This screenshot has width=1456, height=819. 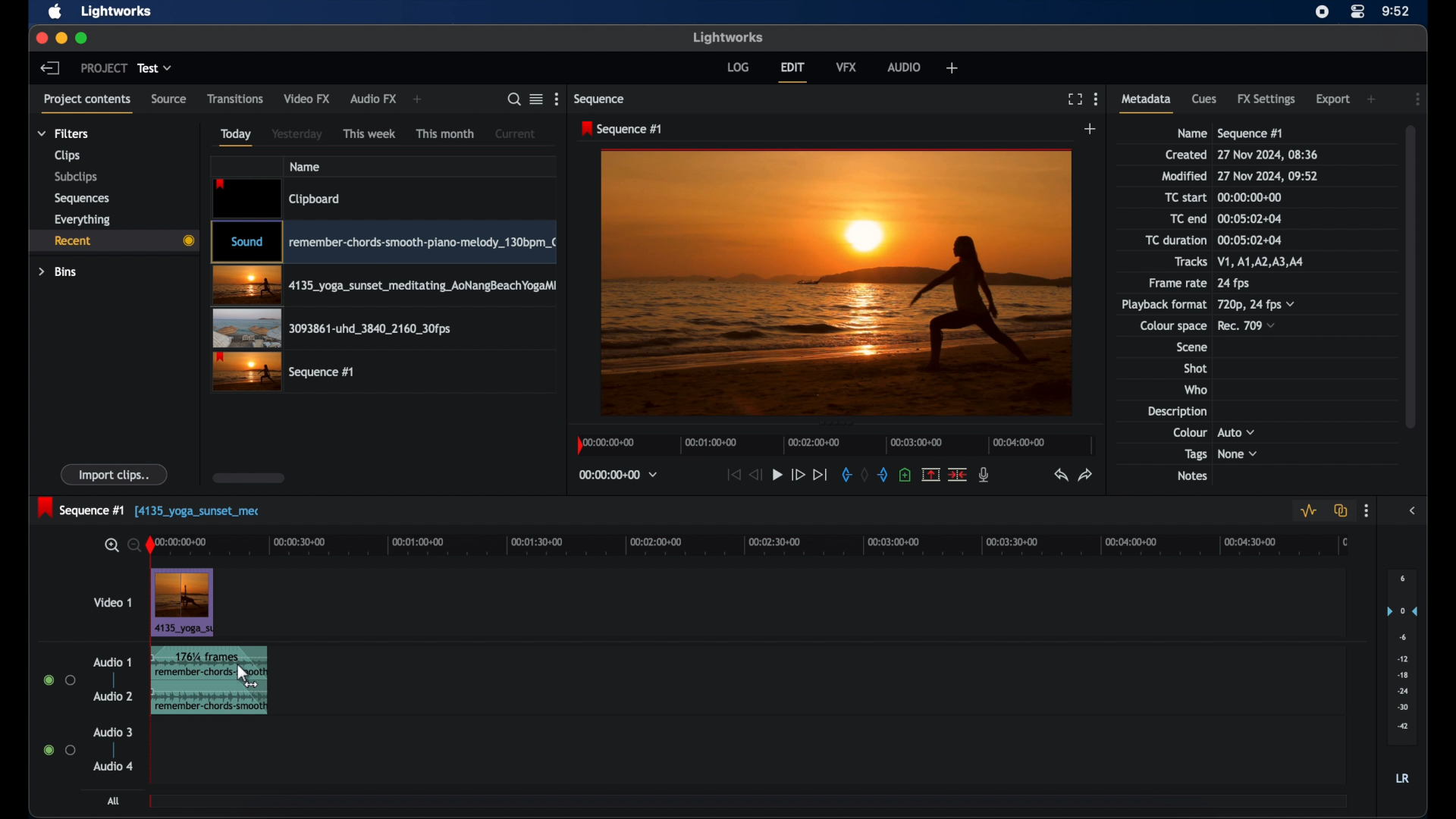 What do you see at coordinates (83, 38) in the screenshot?
I see `maximize` at bounding box center [83, 38].